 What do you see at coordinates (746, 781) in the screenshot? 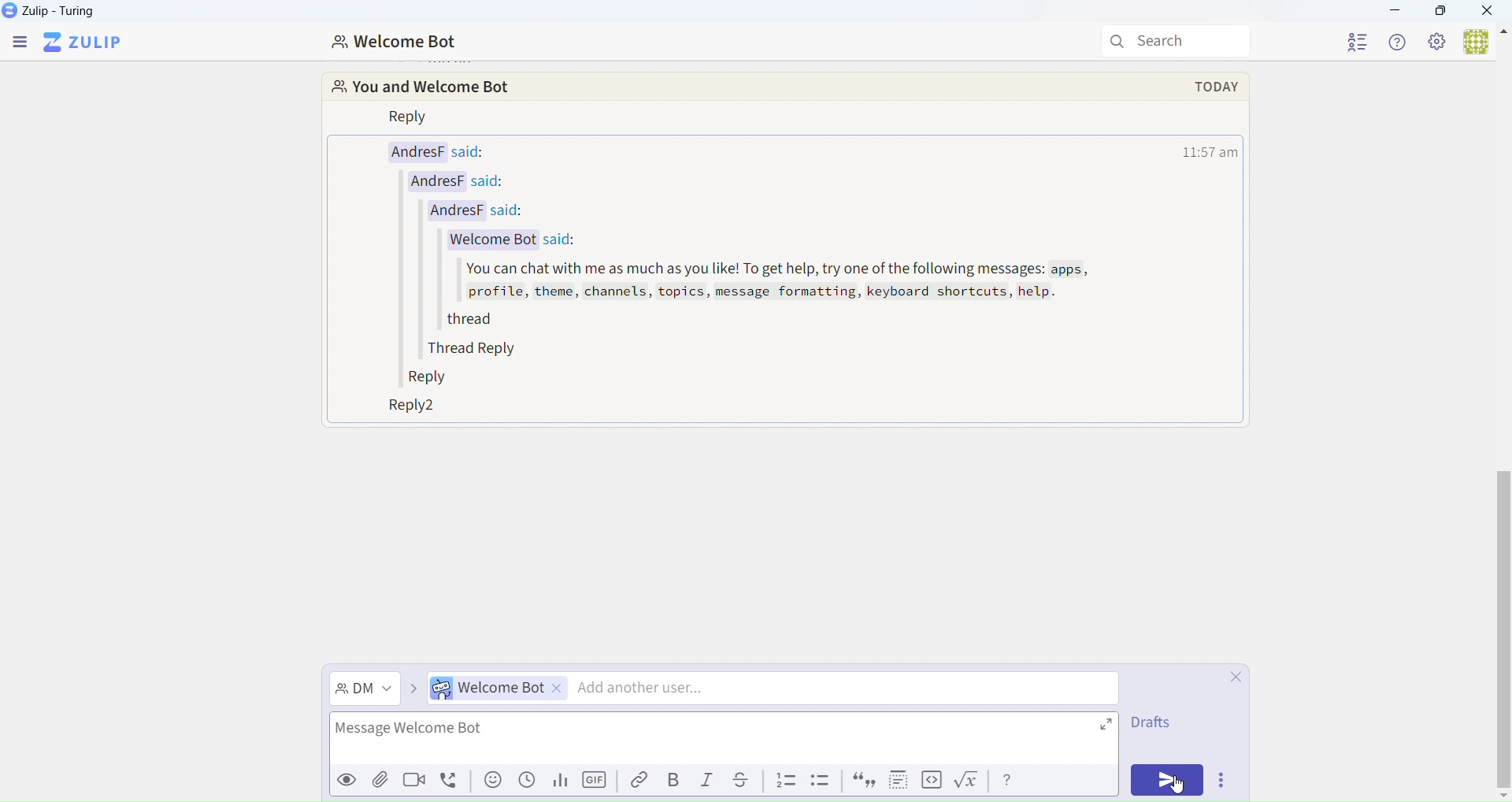
I see `Underline` at bounding box center [746, 781].